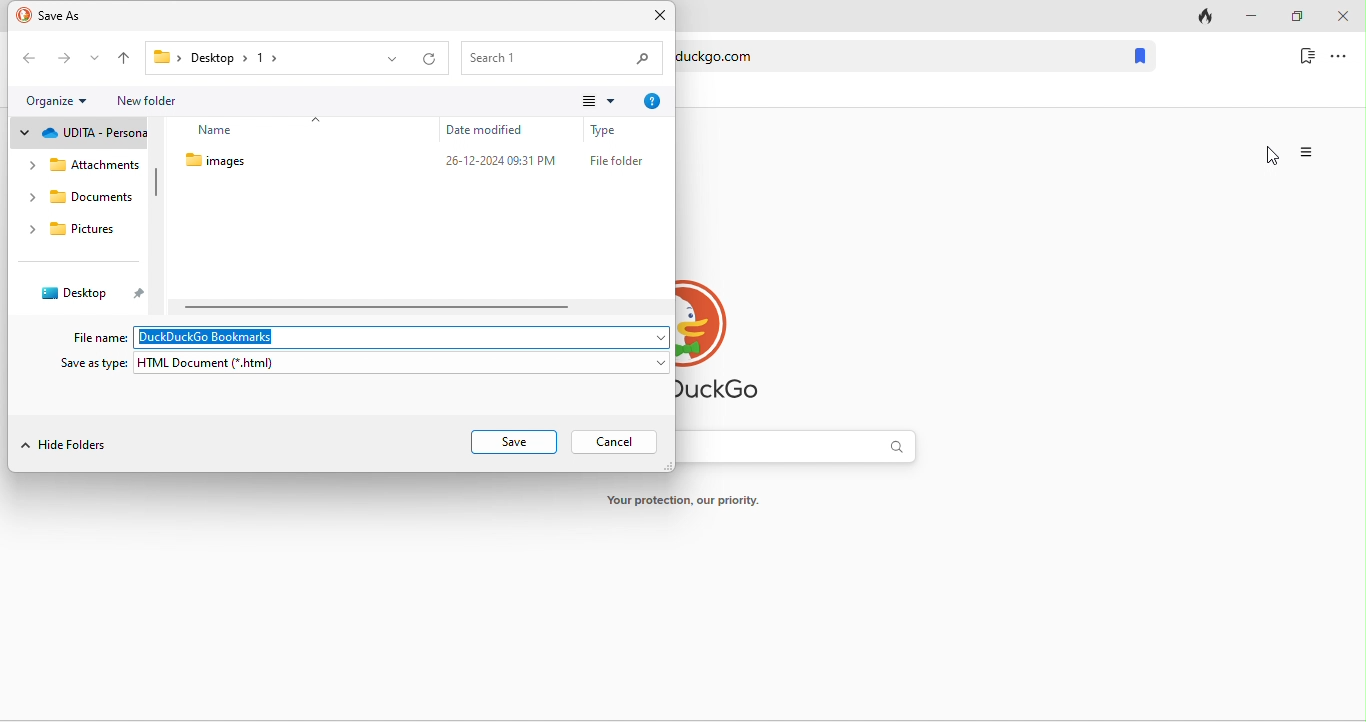 This screenshot has height=722, width=1366. Describe the element at coordinates (94, 364) in the screenshot. I see `save as type` at that location.